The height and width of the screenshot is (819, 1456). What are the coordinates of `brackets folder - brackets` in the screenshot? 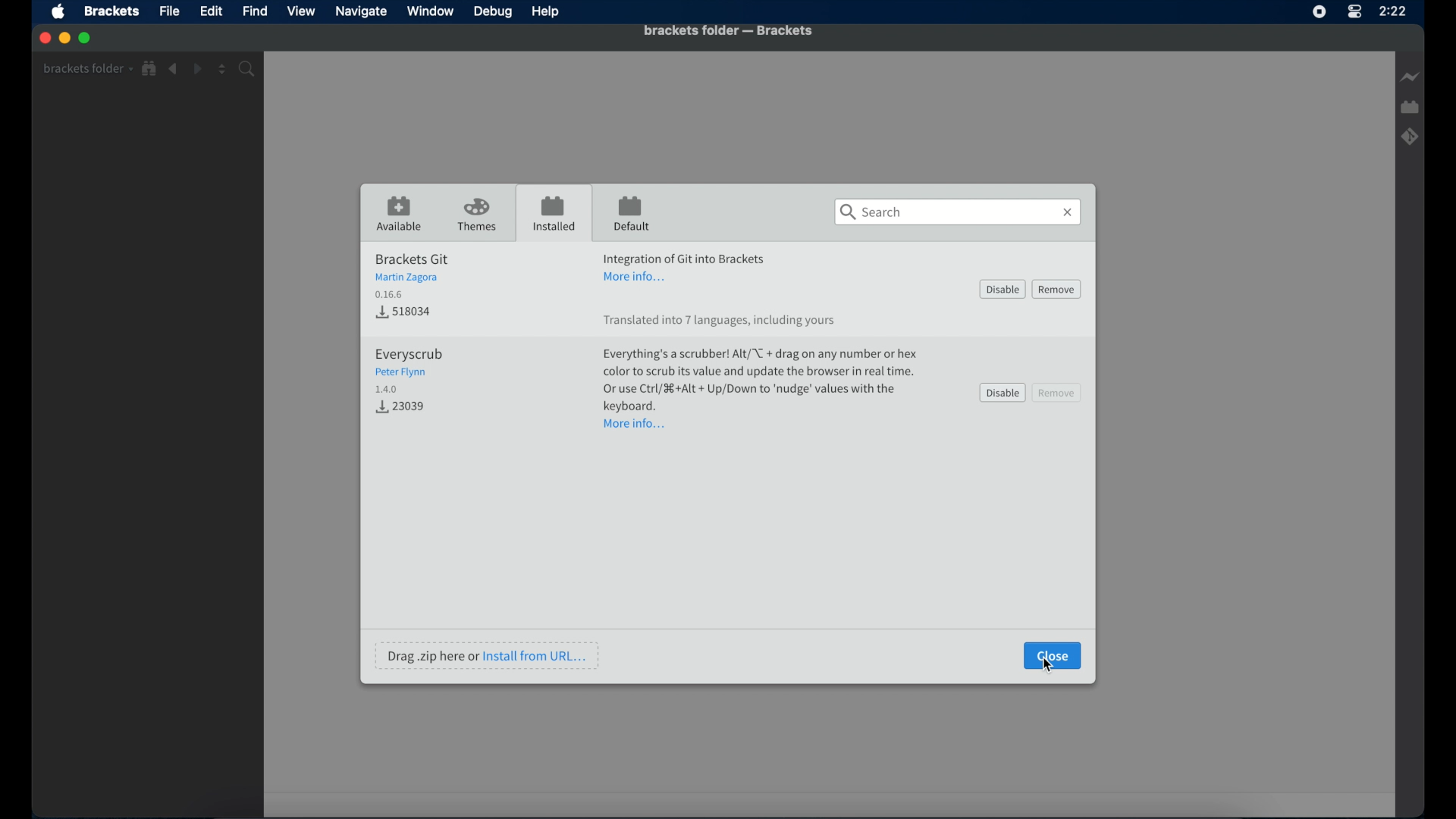 It's located at (728, 30).